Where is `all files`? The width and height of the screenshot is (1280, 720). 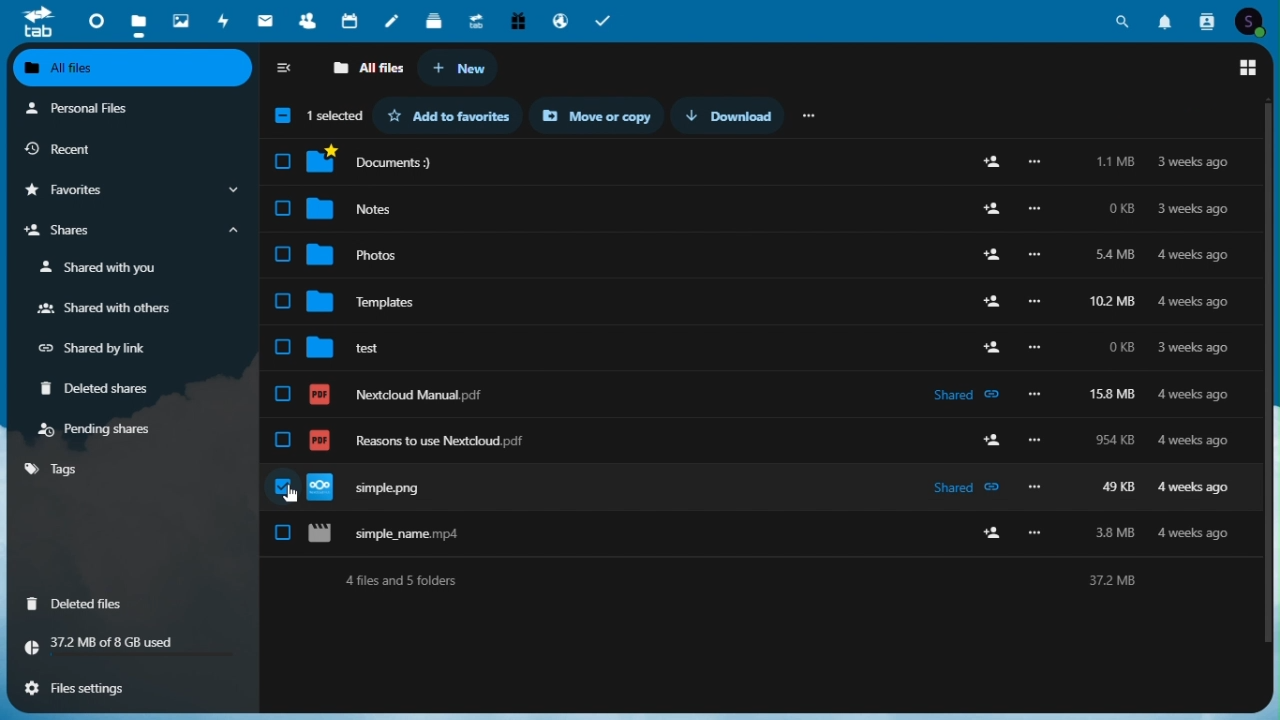
all files is located at coordinates (367, 69).